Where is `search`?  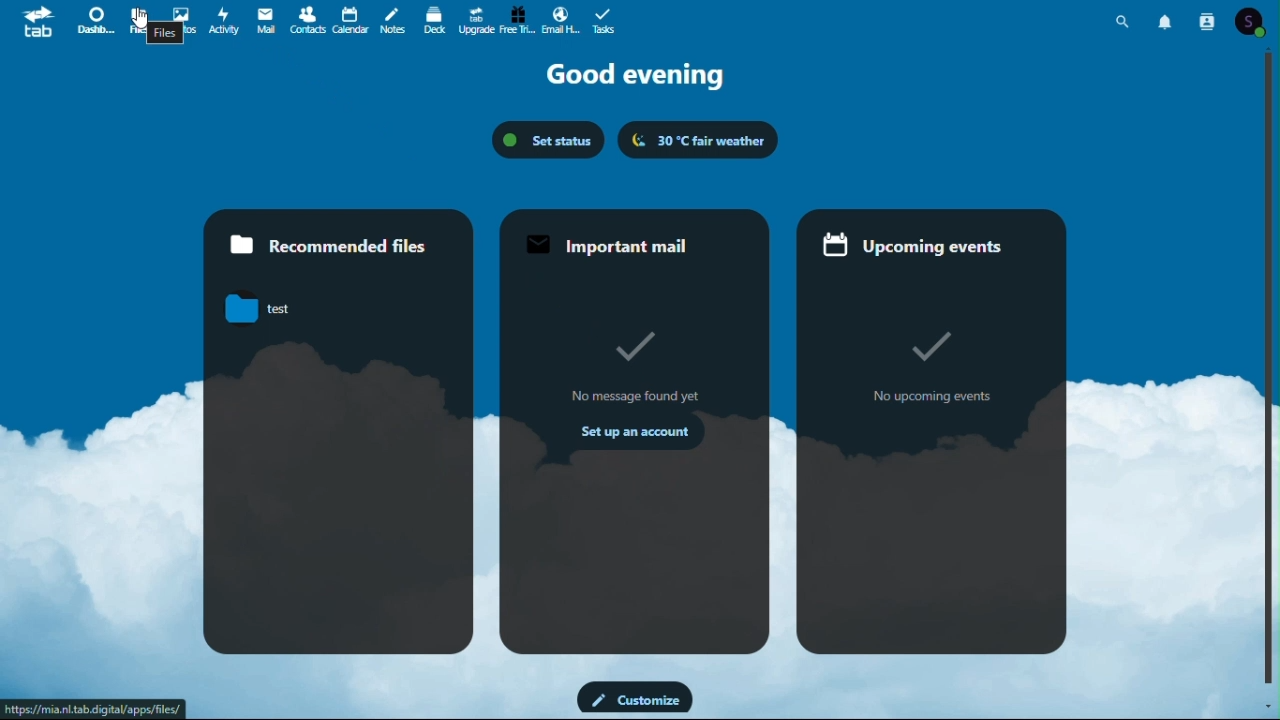
search is located at coordinates (1125, 19).